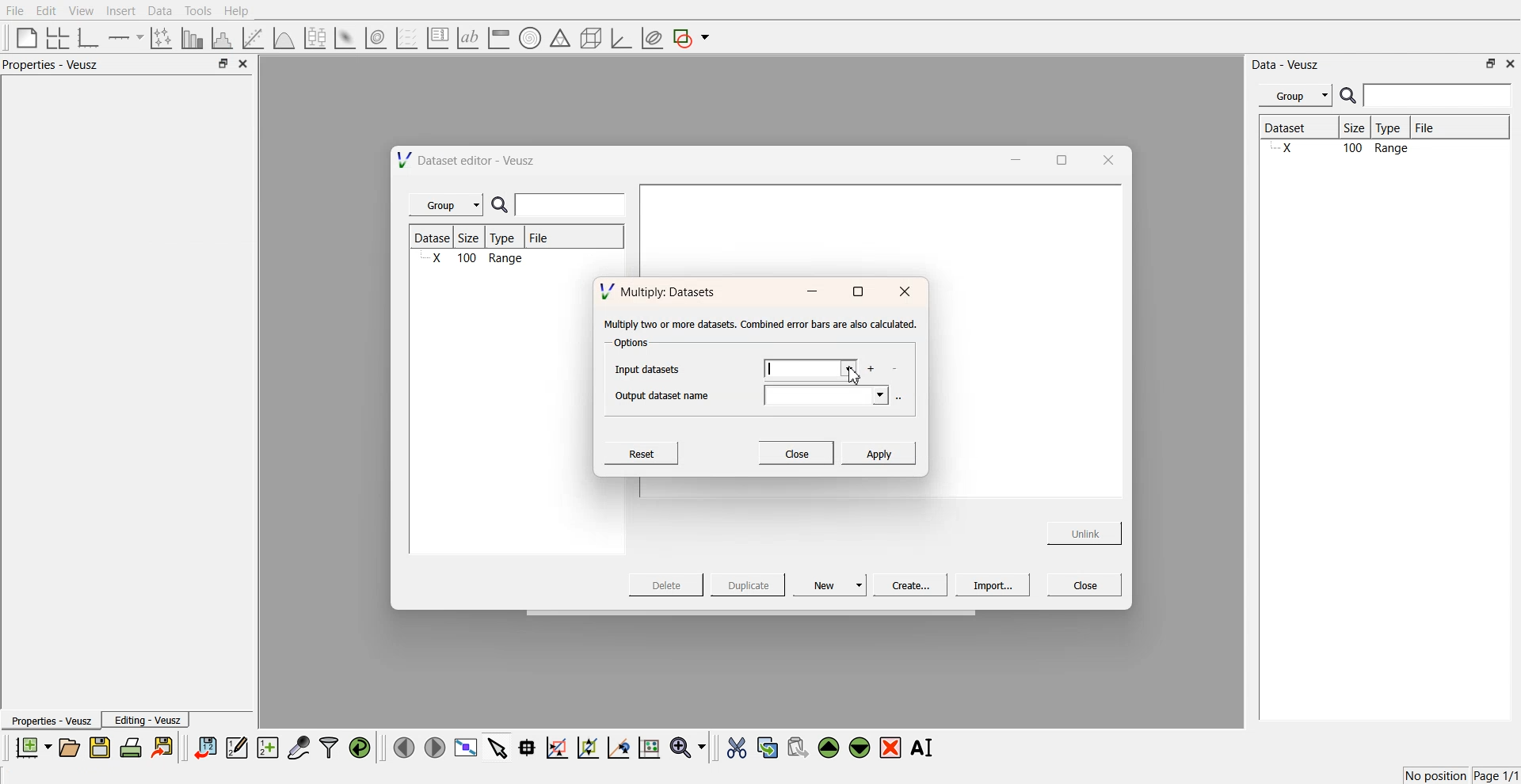 This screenshot has width=1521, height=784. Describe the element at coordinates (437, 38) in the screenshot. I see `plot key` at that location.